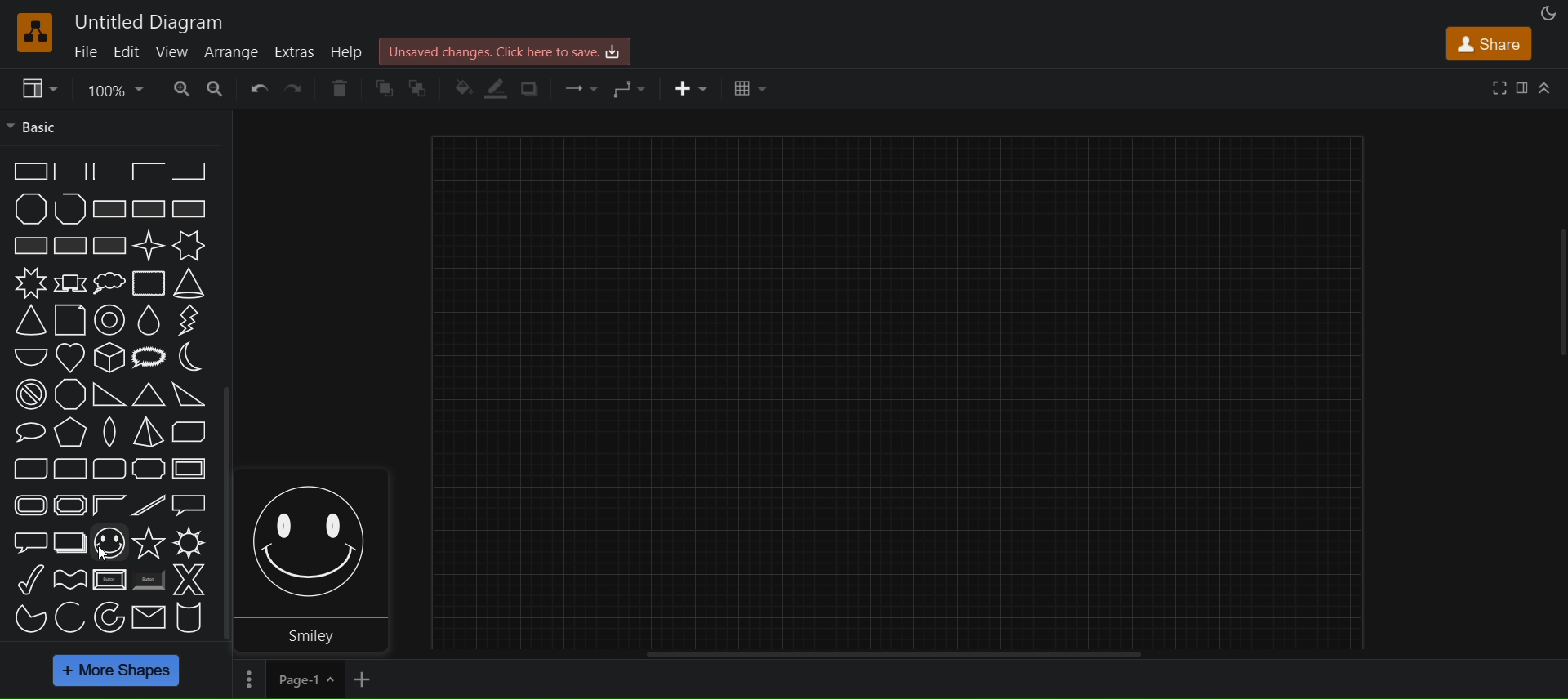  What do you see at coordinates (147, 396) in the screenshot?
I see `obtuse triangle` at bounding box center [147, 396].